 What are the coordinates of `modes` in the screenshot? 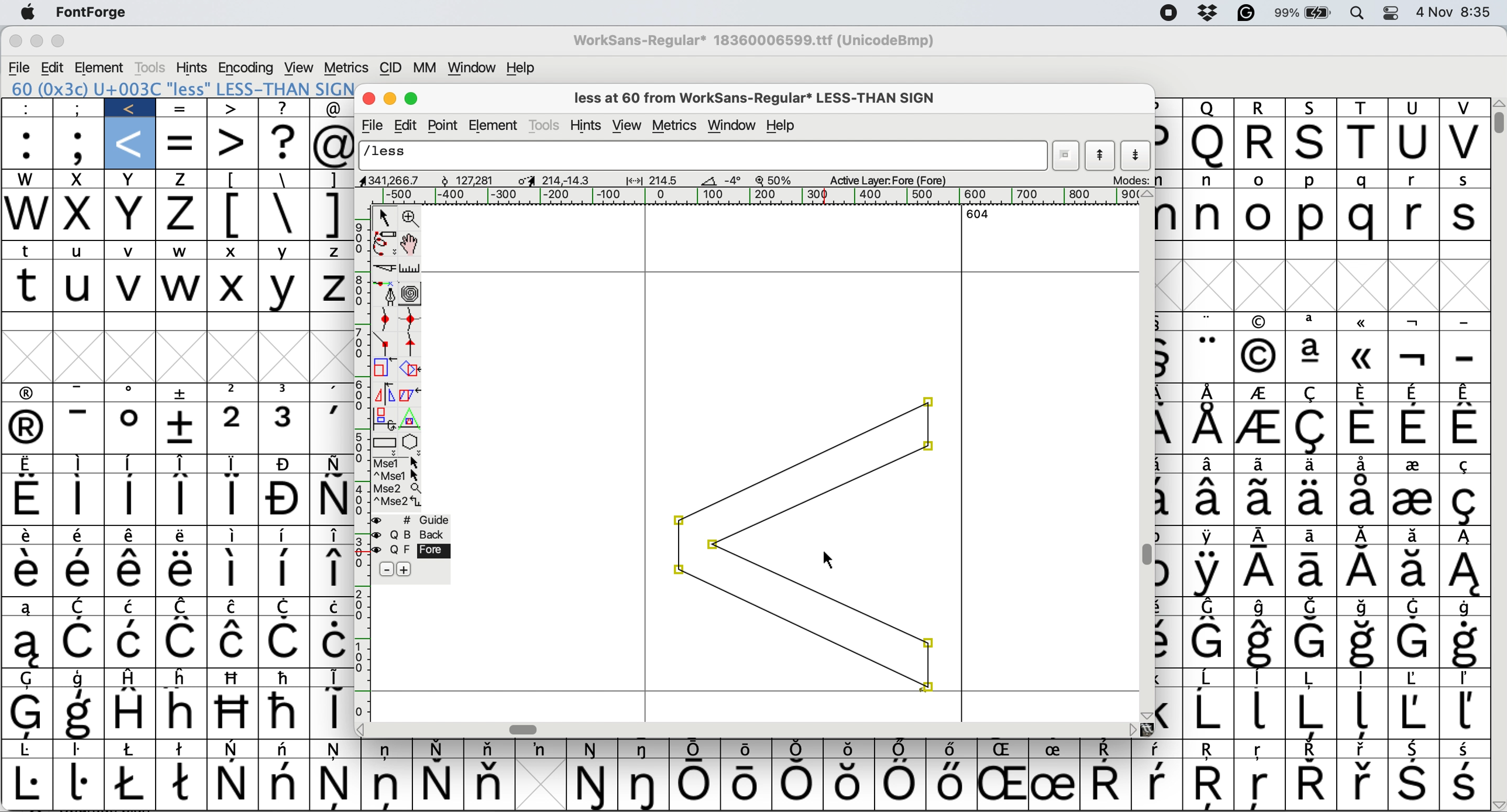 It's located at (1132, 180).